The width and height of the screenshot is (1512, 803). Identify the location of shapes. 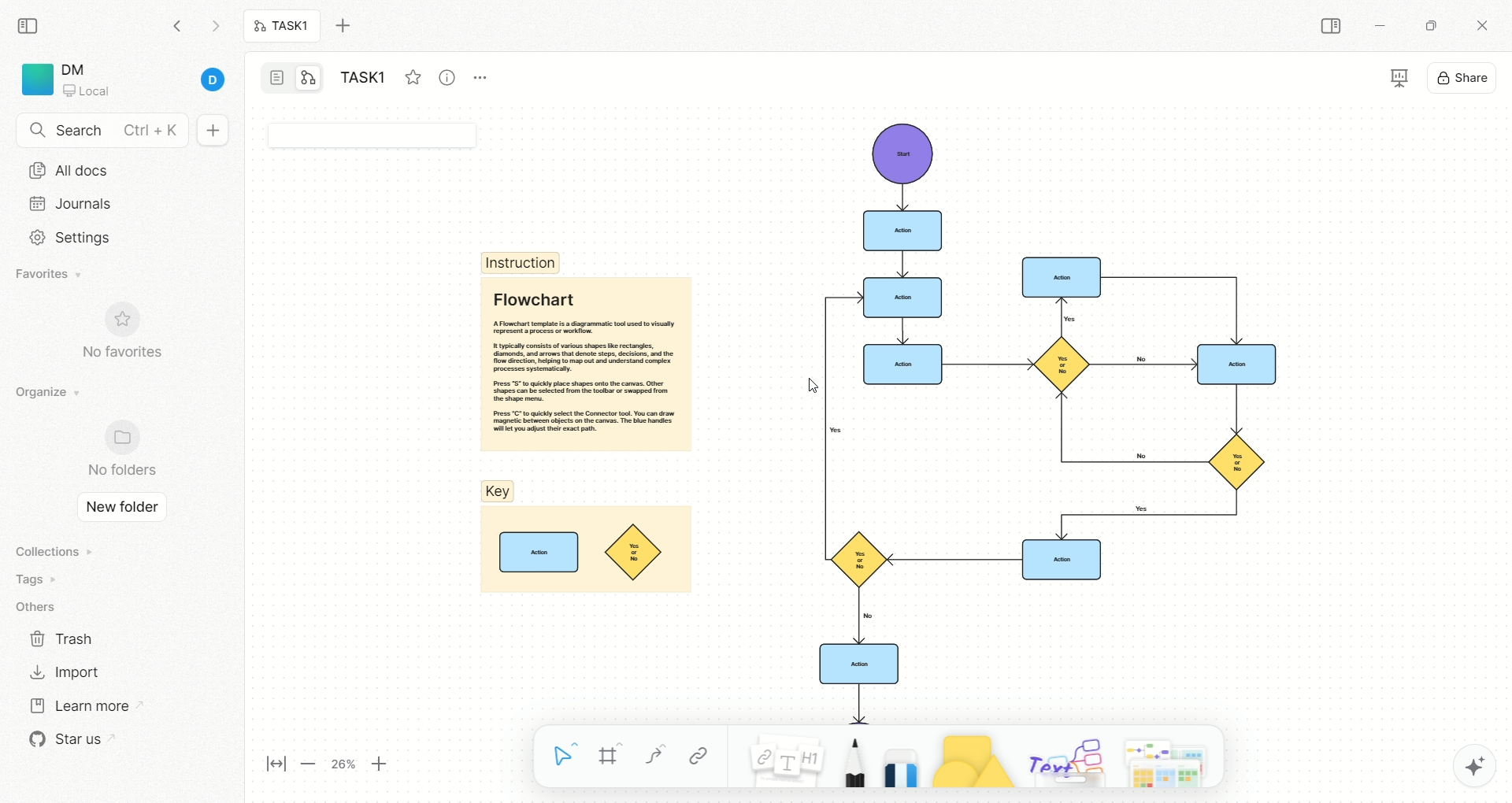
(965, 757).